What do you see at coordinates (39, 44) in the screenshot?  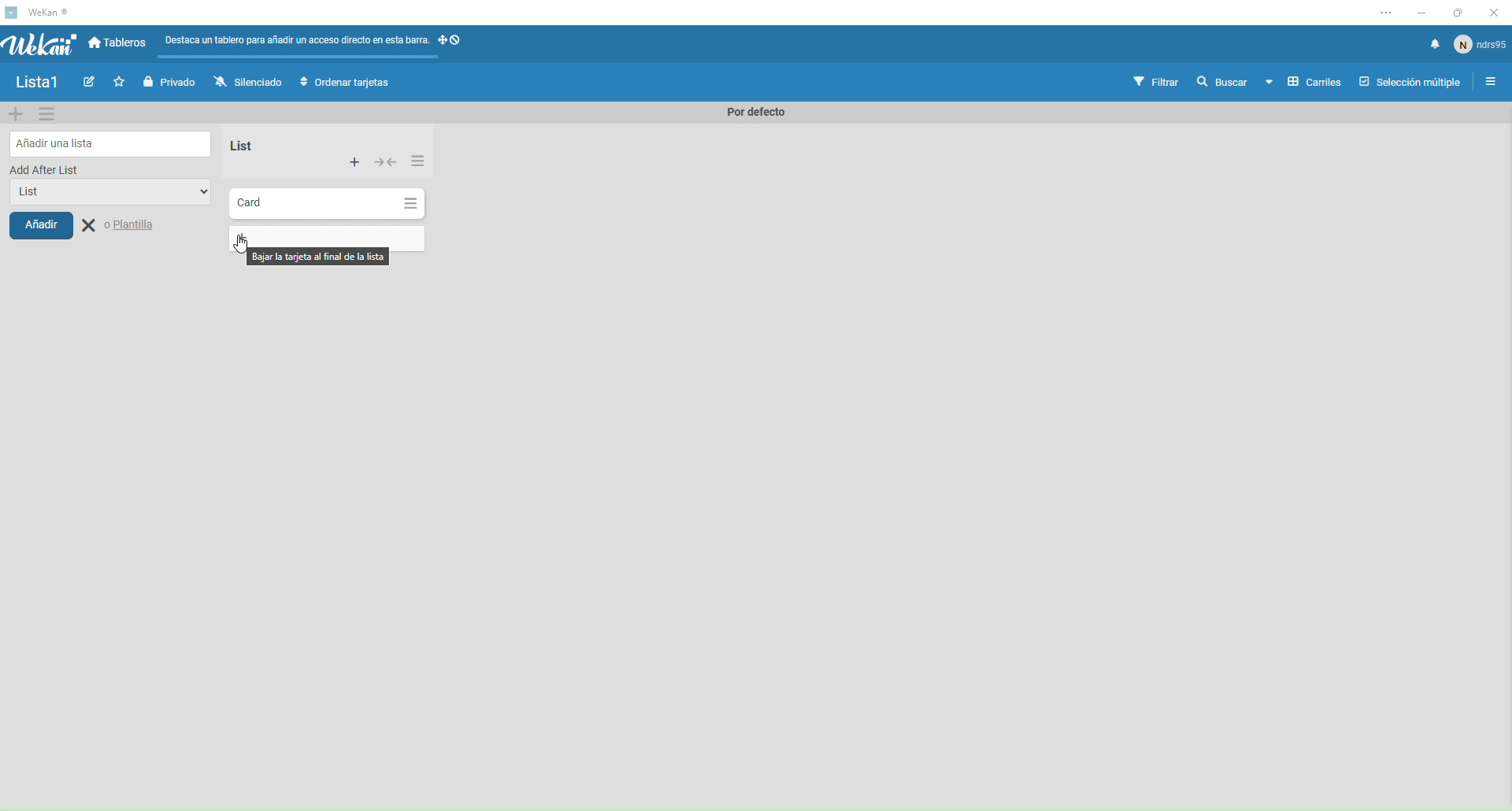 I see `Wekan` at bounding box center [39, 44].